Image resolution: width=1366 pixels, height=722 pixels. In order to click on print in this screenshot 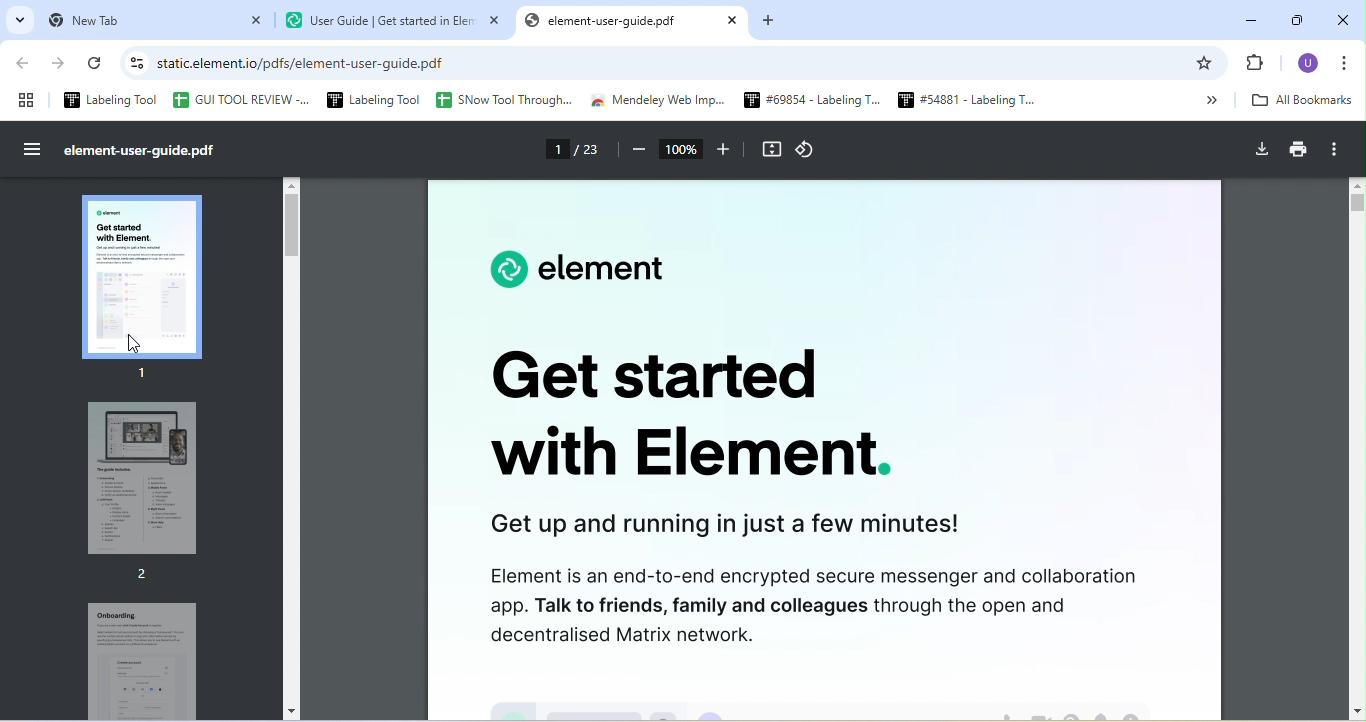, I will do `click(1298, 152)`.